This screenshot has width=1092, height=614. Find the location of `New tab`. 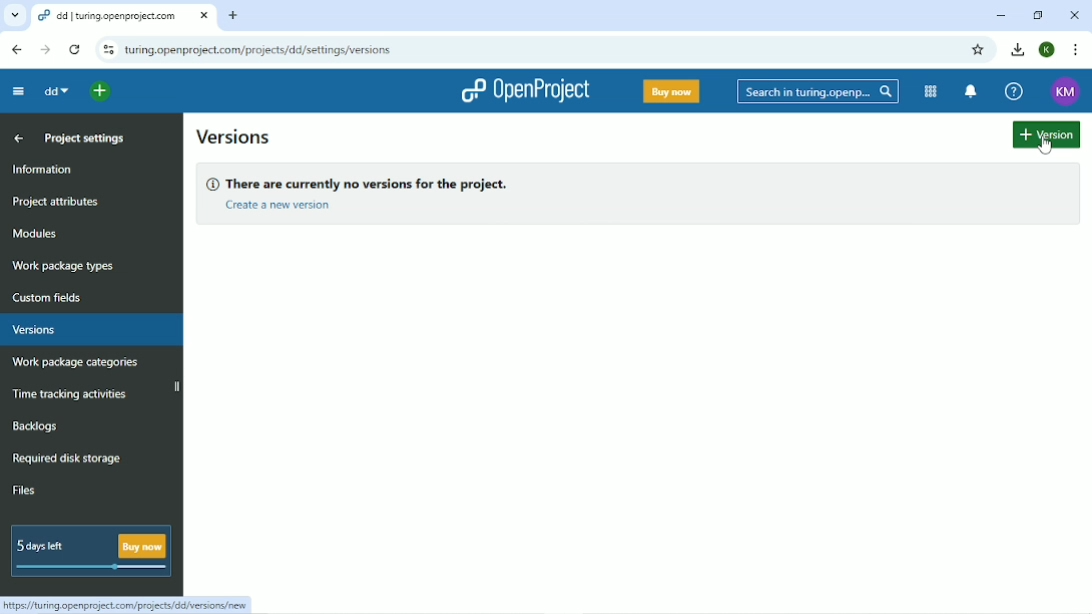

New tab is located at coordinates (235, 16).